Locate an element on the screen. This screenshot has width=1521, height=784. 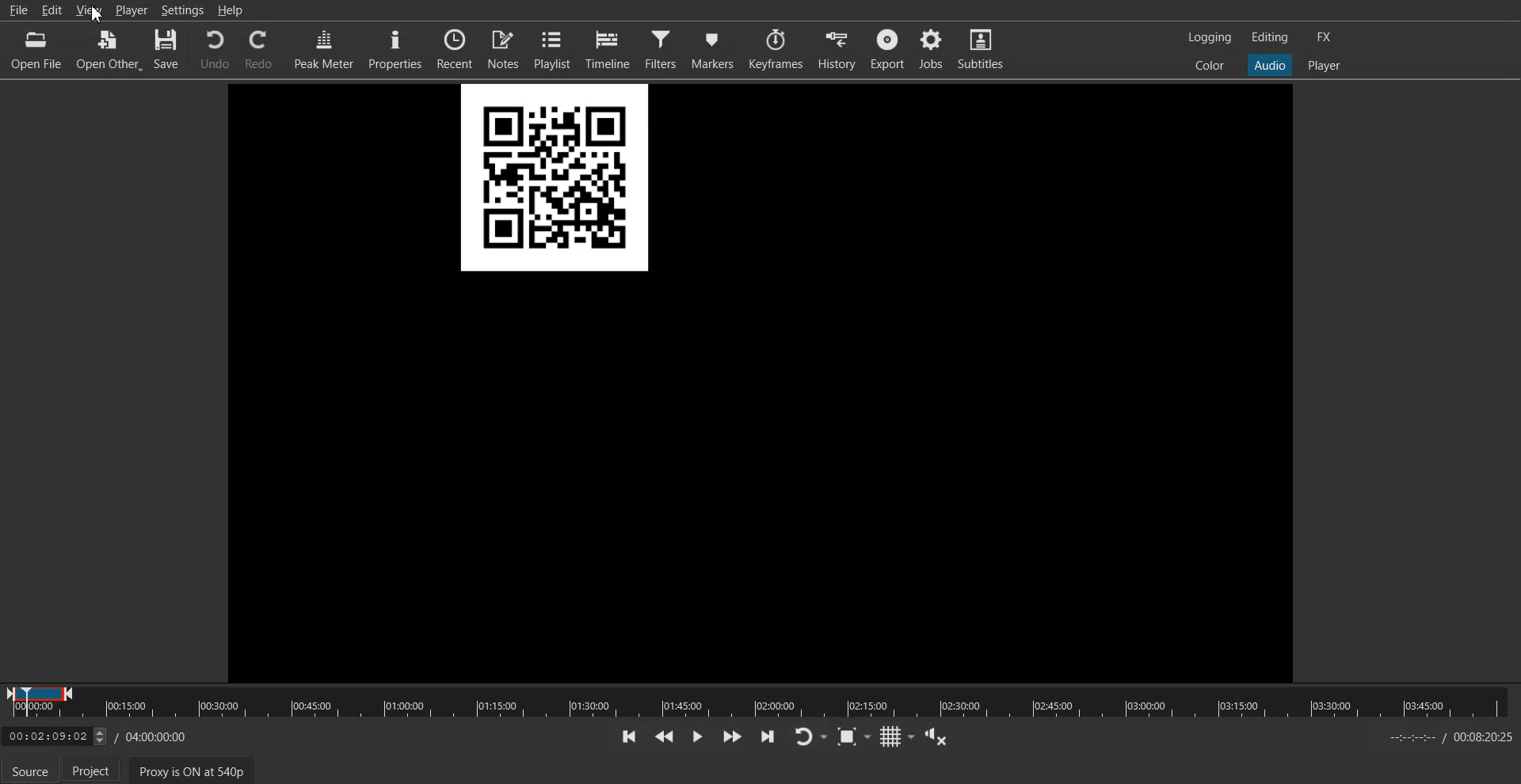
Open Other is located at coordinates (109, 49).